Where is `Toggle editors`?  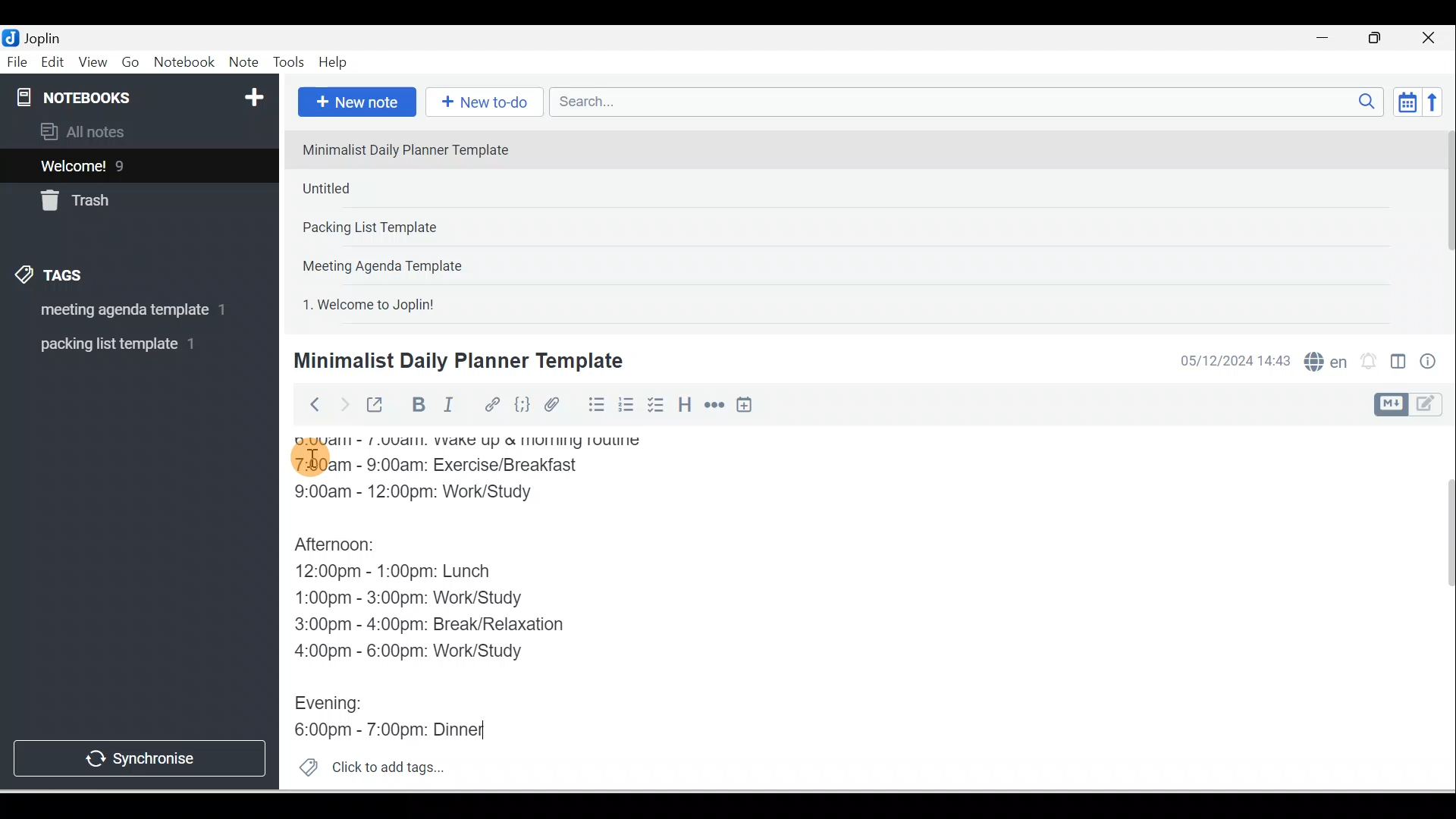
Toggle editors is located at coordinates (1398, 364).